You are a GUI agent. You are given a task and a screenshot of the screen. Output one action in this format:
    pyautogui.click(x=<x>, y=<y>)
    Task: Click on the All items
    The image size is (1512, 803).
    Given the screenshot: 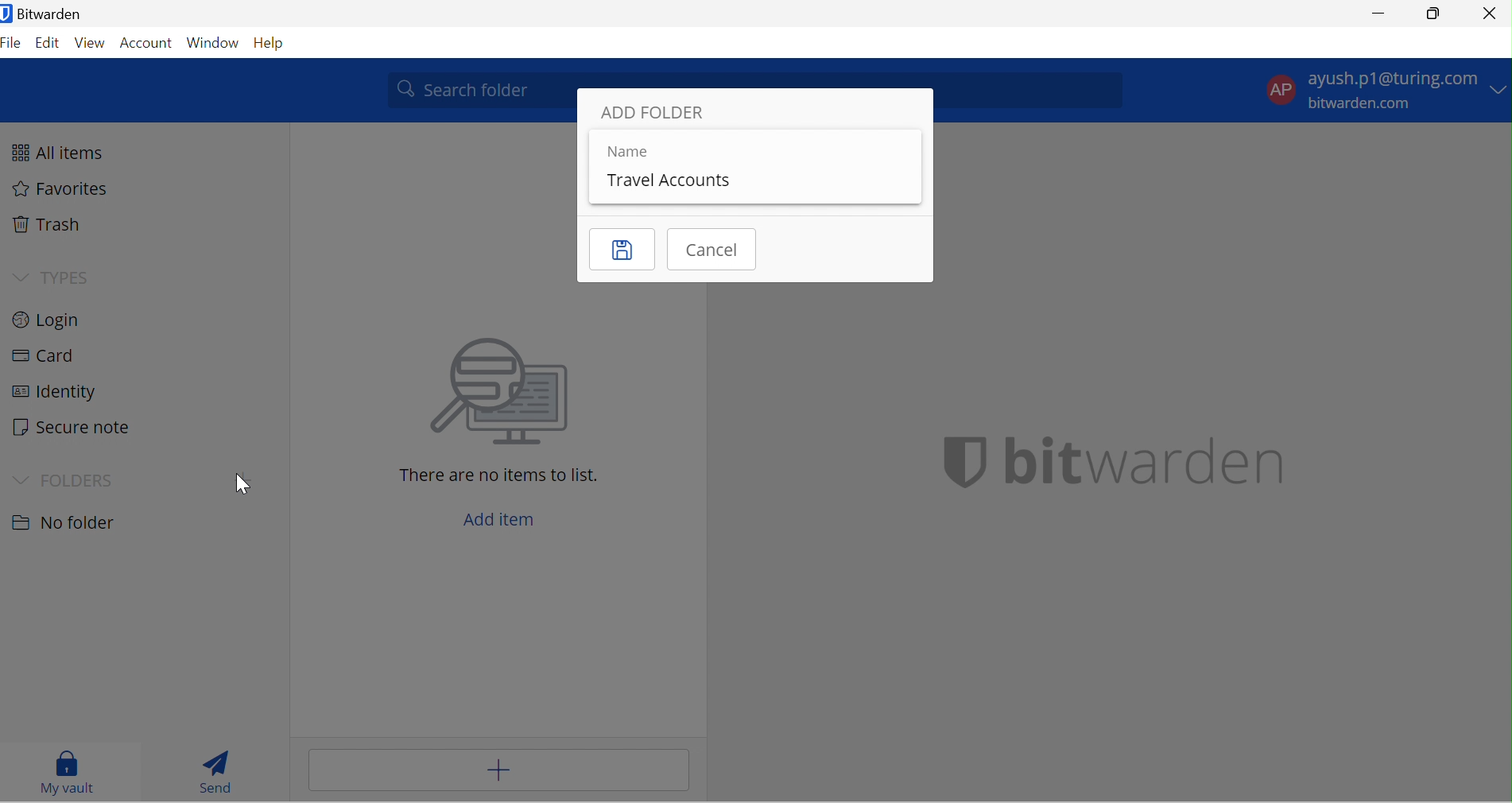 What is the action you would take?
    pyautogui.click(x=66, y=151)
    